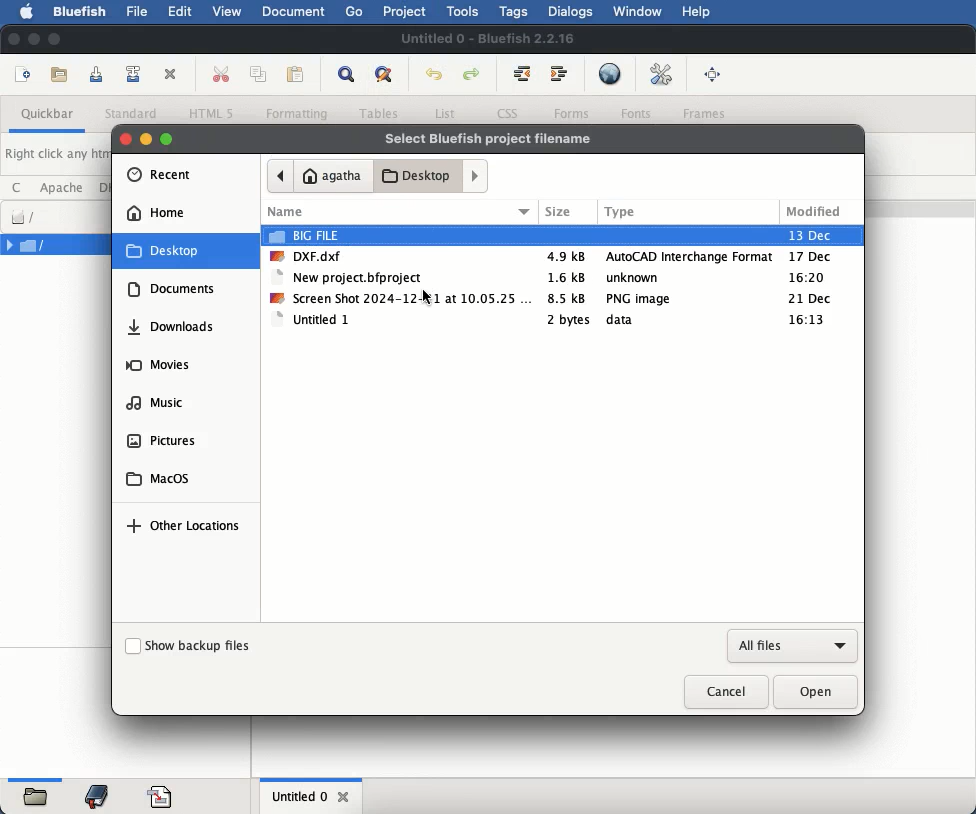  I want to click on quickbar, so click(49, 115).